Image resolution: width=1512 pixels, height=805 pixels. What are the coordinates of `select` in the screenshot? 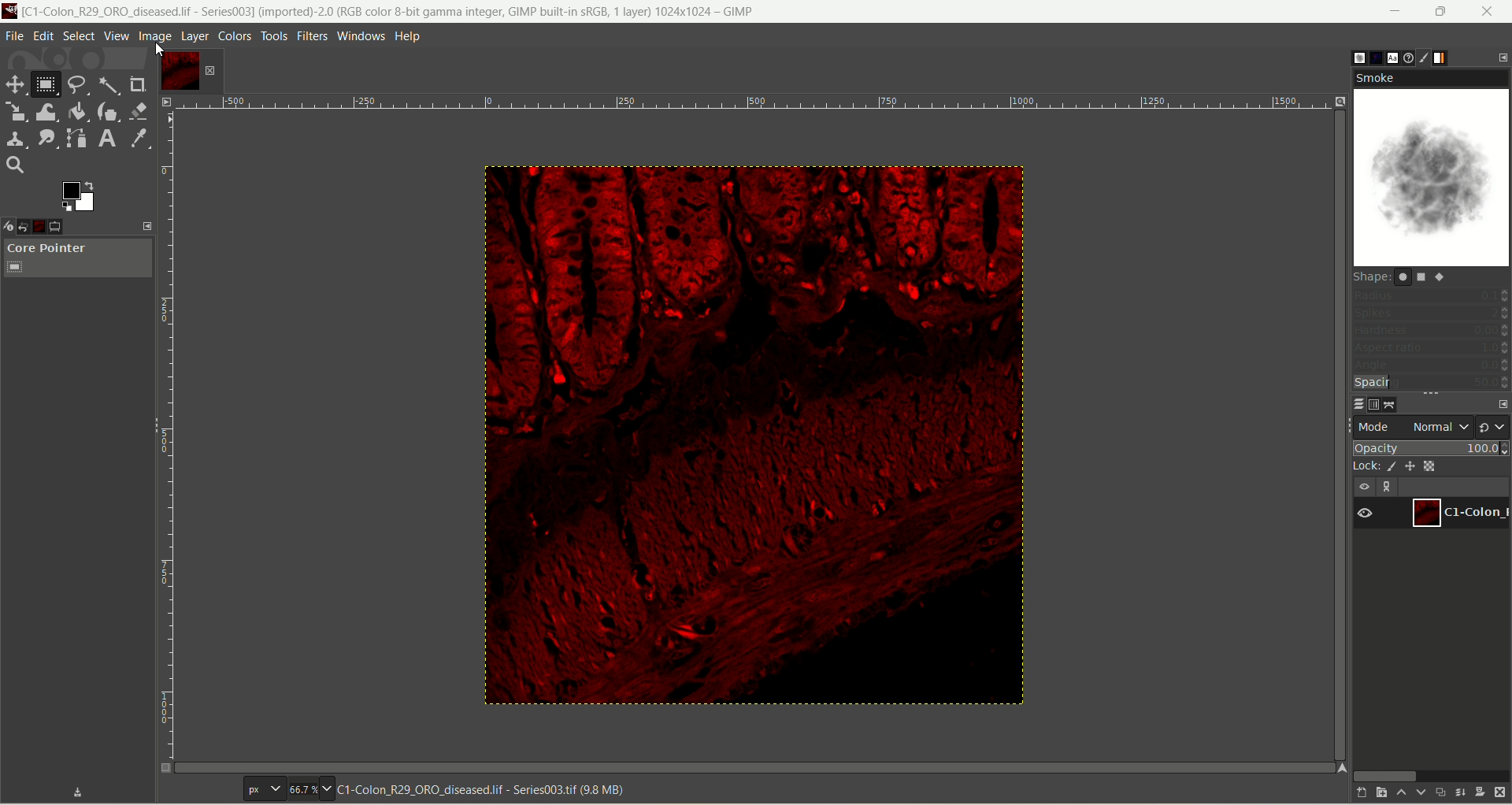 It's located at (80, 37).